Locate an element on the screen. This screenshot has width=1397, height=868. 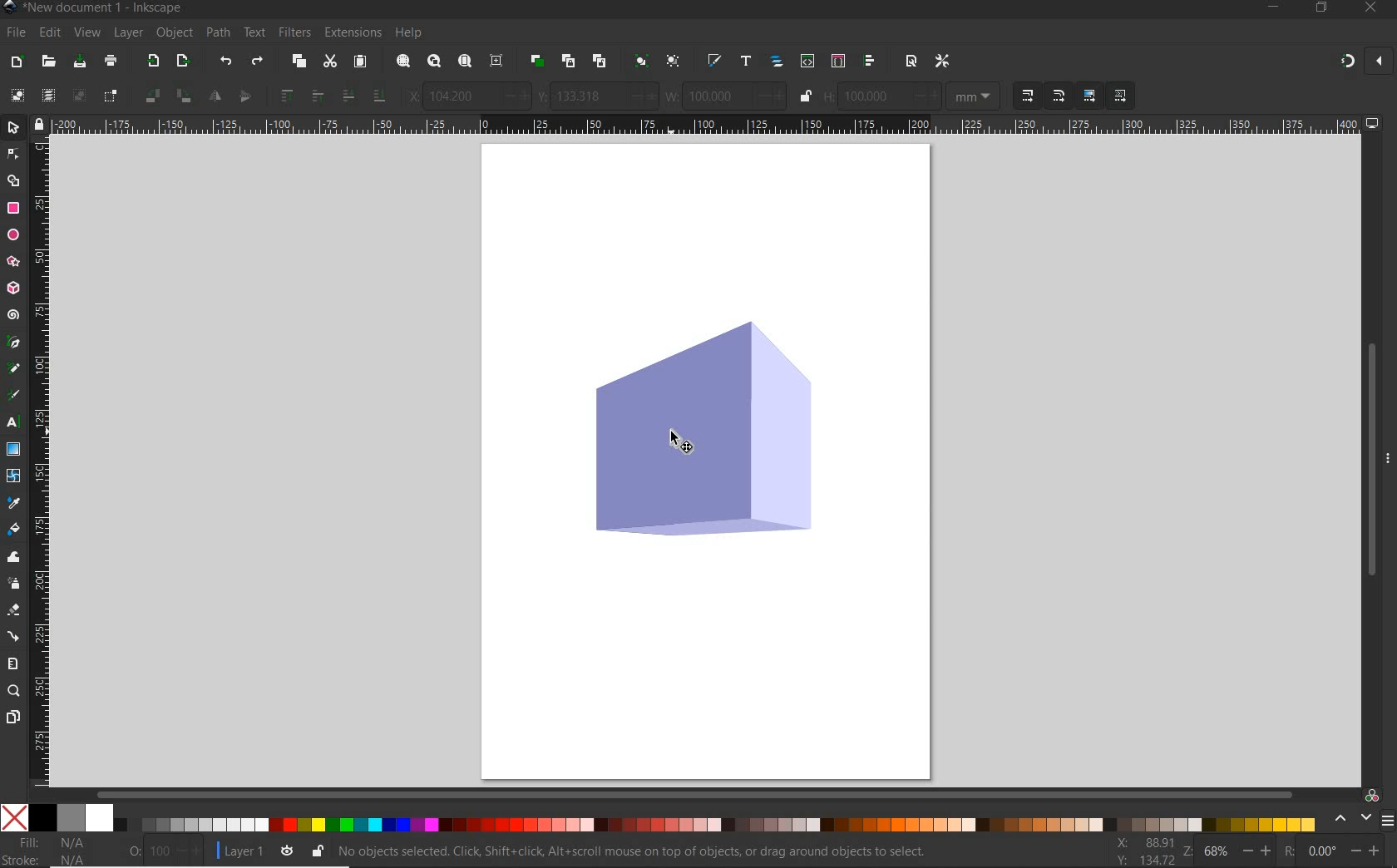
VERTICAL COORDINATE OF SELECTION is located at coordinates (541, 96).